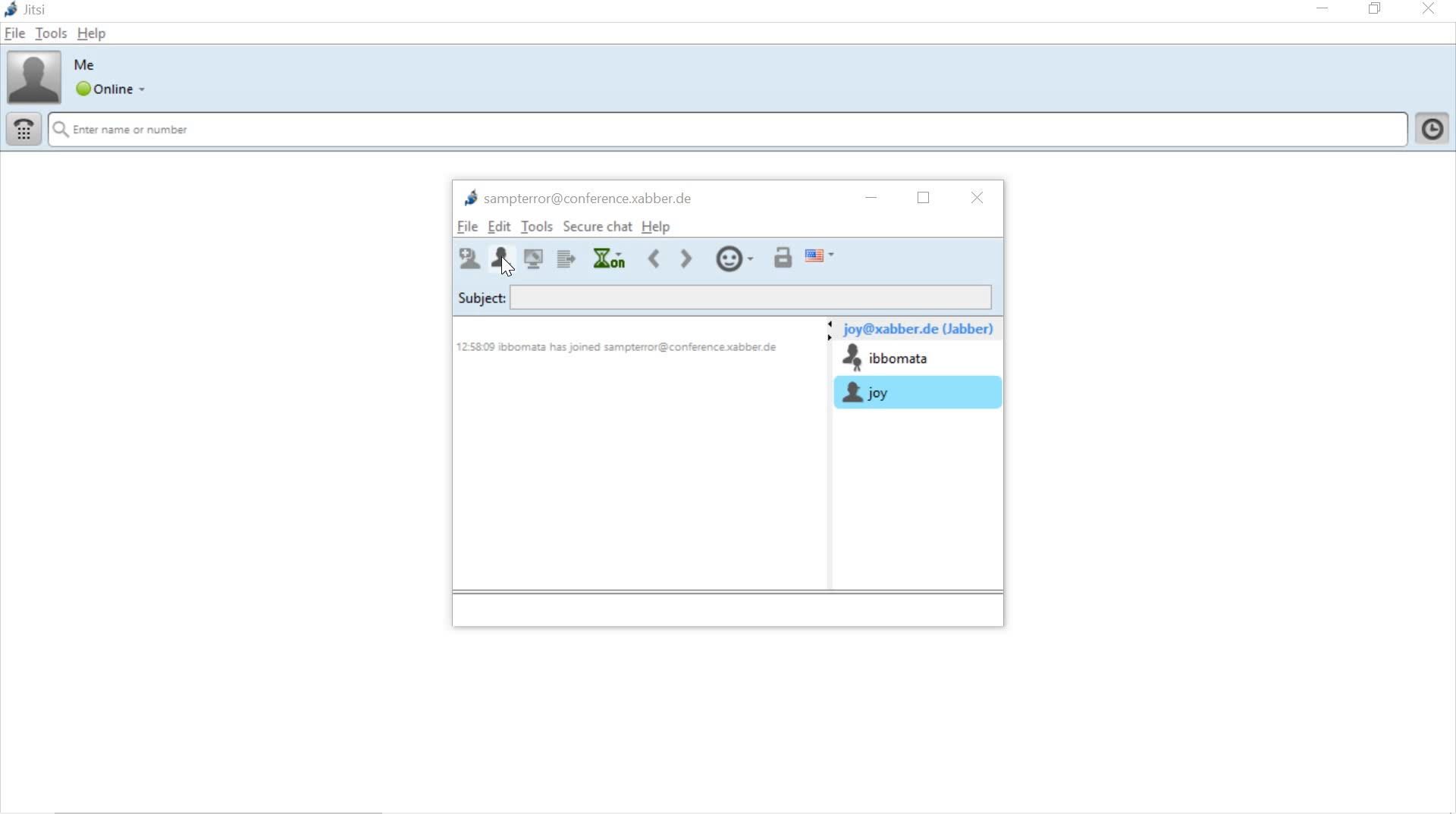 Image resolution: width=1456 pixels, height=814 pixels. What do you see at coordinates (1433, 131) in the screenshot?
I see `click to show history` at bounding box center [1433, 131].